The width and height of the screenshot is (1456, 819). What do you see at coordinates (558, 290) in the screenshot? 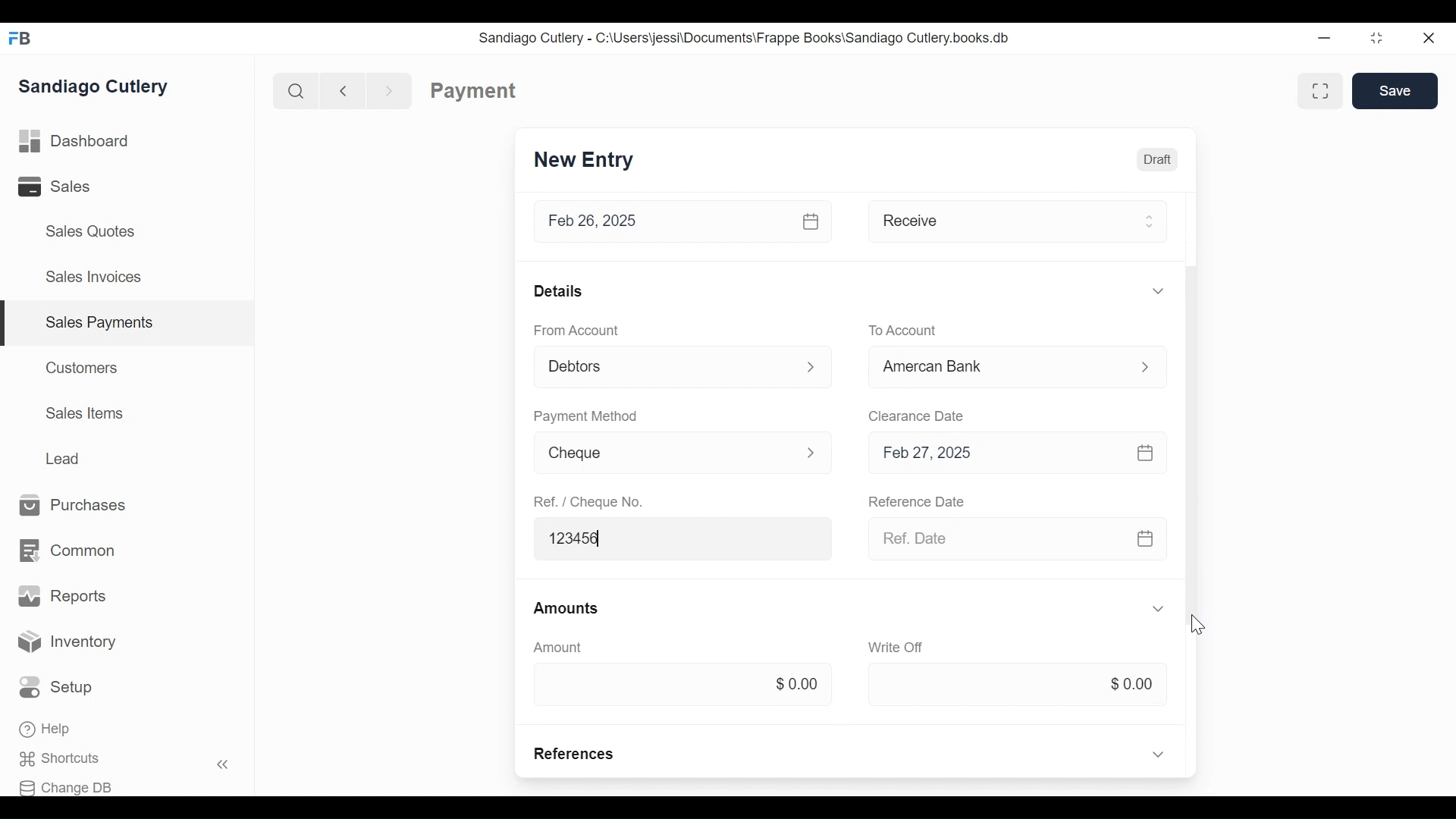
I see `Details` at bounding box center [558, 290].